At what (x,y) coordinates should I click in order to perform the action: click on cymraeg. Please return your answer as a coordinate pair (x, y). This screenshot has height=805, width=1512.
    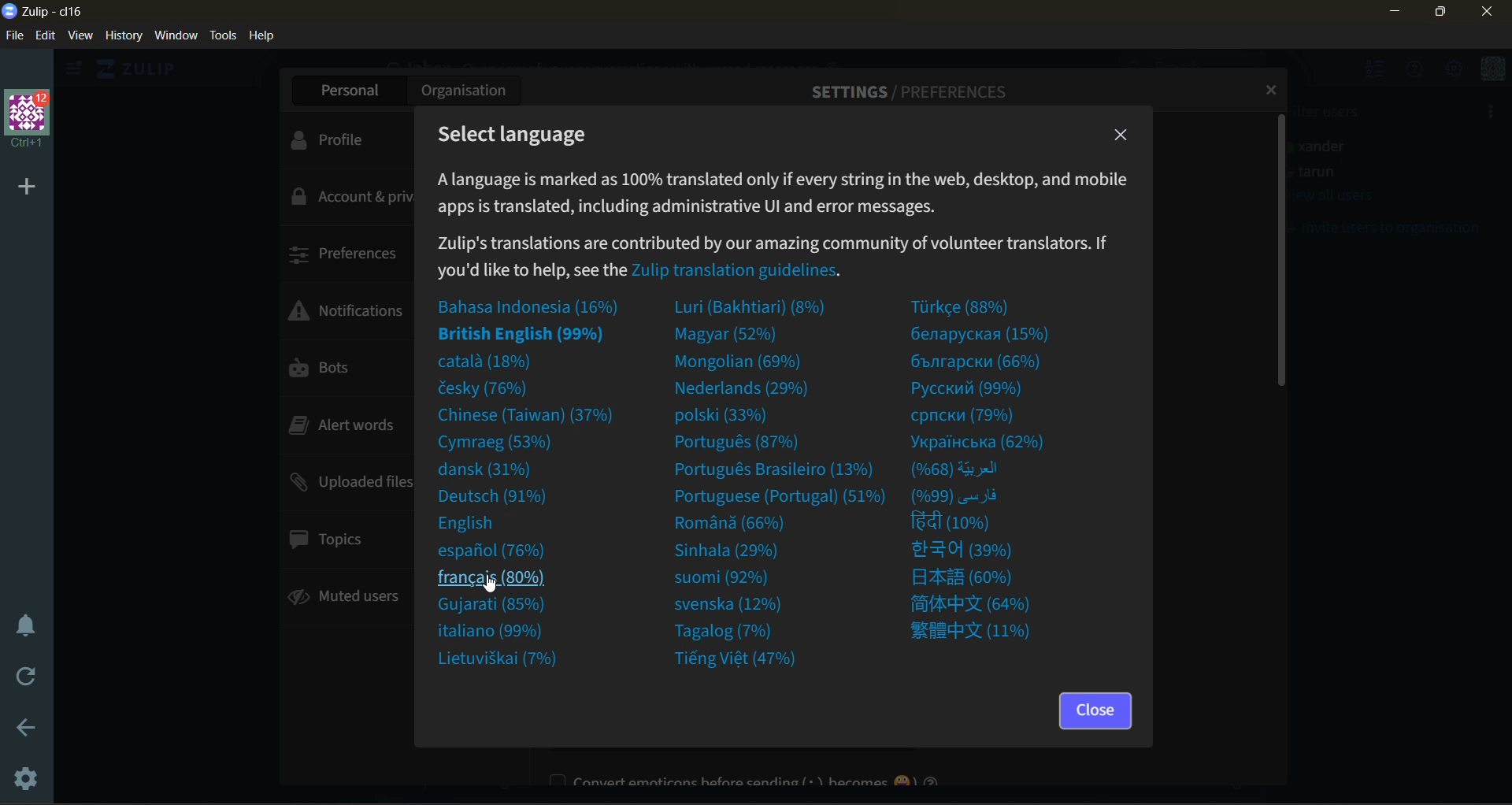
    Looking at the image, I should click on (503, 443).